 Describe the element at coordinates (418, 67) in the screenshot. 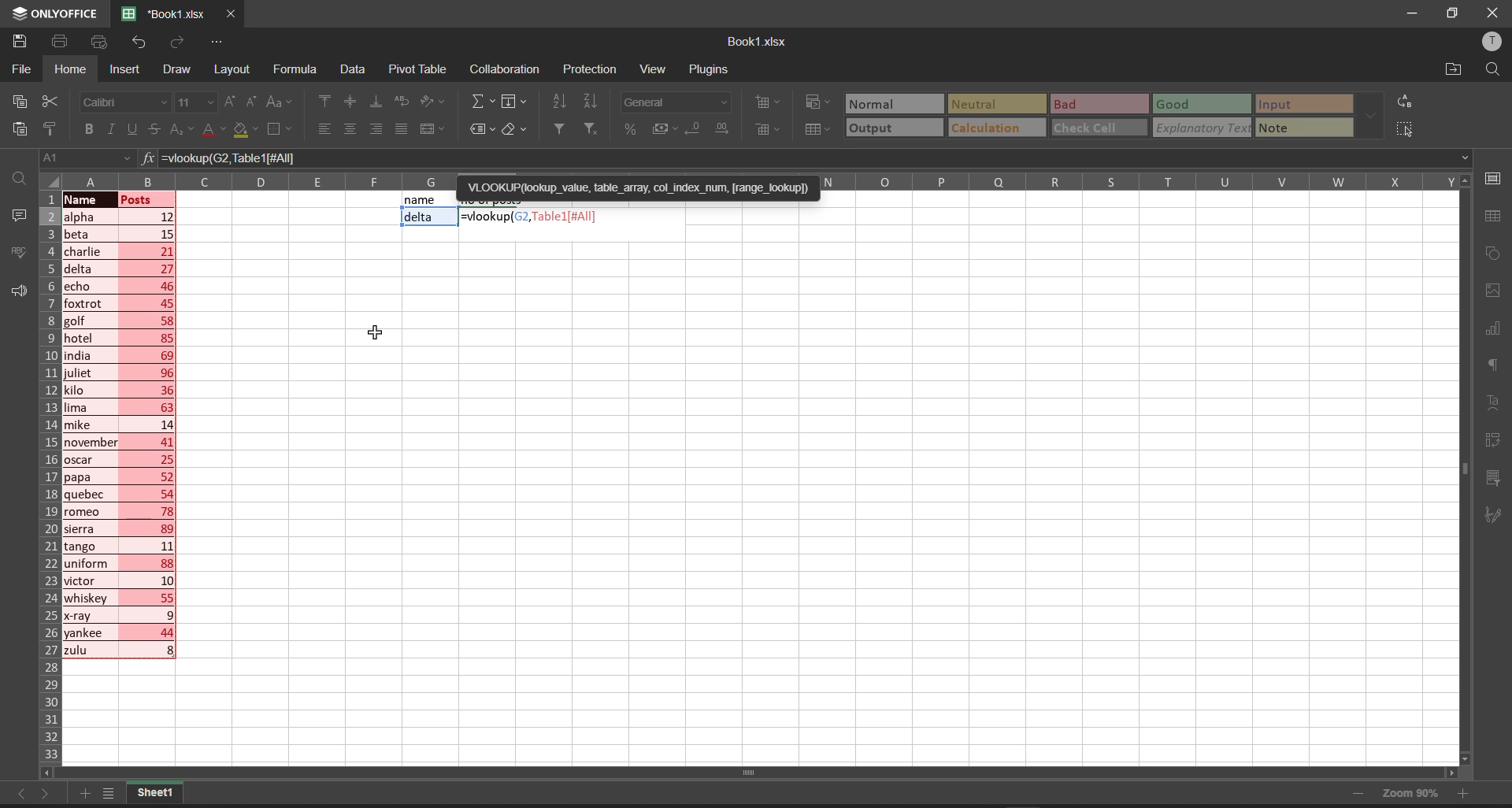

I see `pivot table` at that location.